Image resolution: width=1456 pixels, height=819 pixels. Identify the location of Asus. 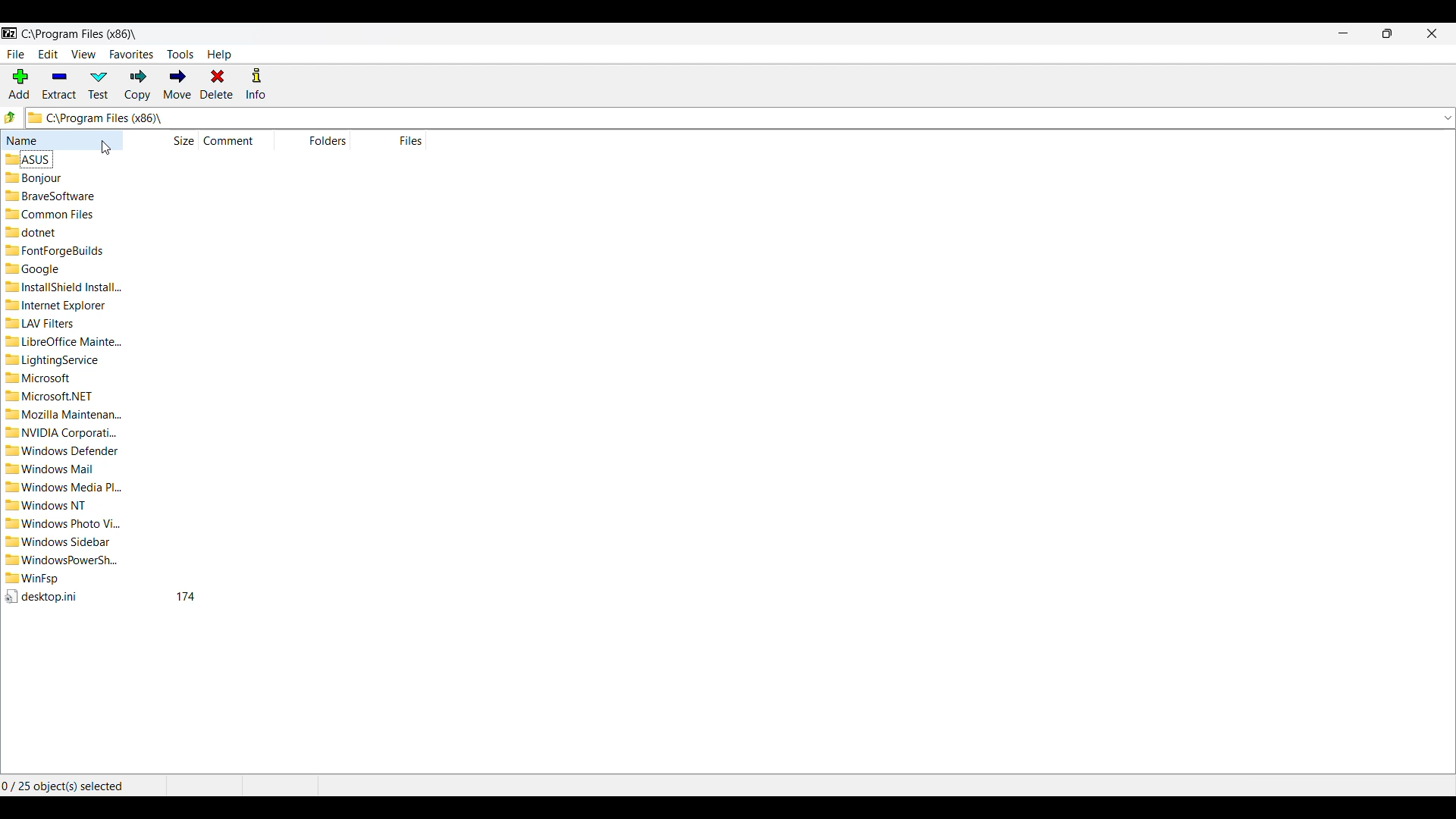
(28, 160).